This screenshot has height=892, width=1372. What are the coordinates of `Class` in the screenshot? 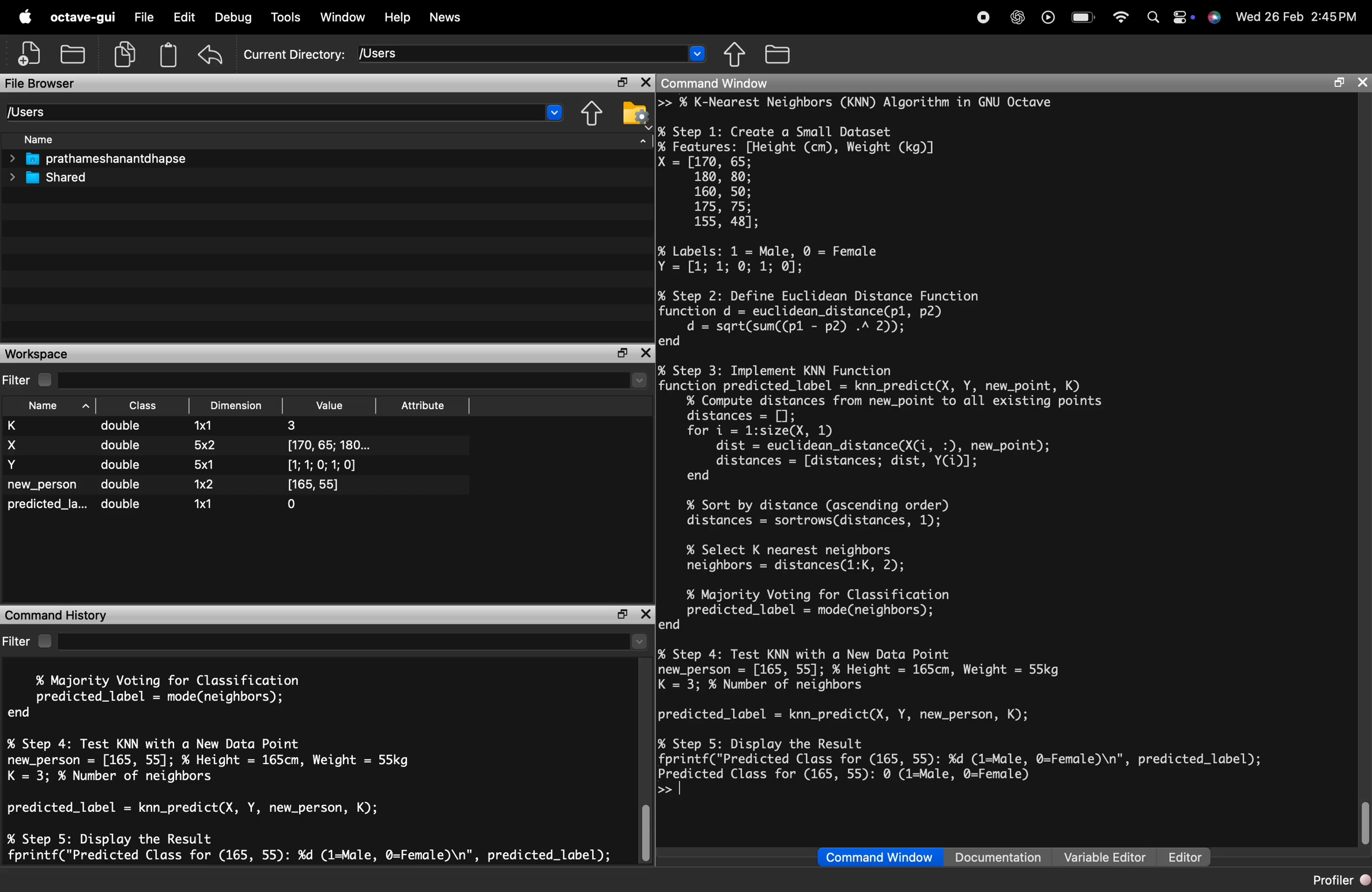 It's located at (144, 405).